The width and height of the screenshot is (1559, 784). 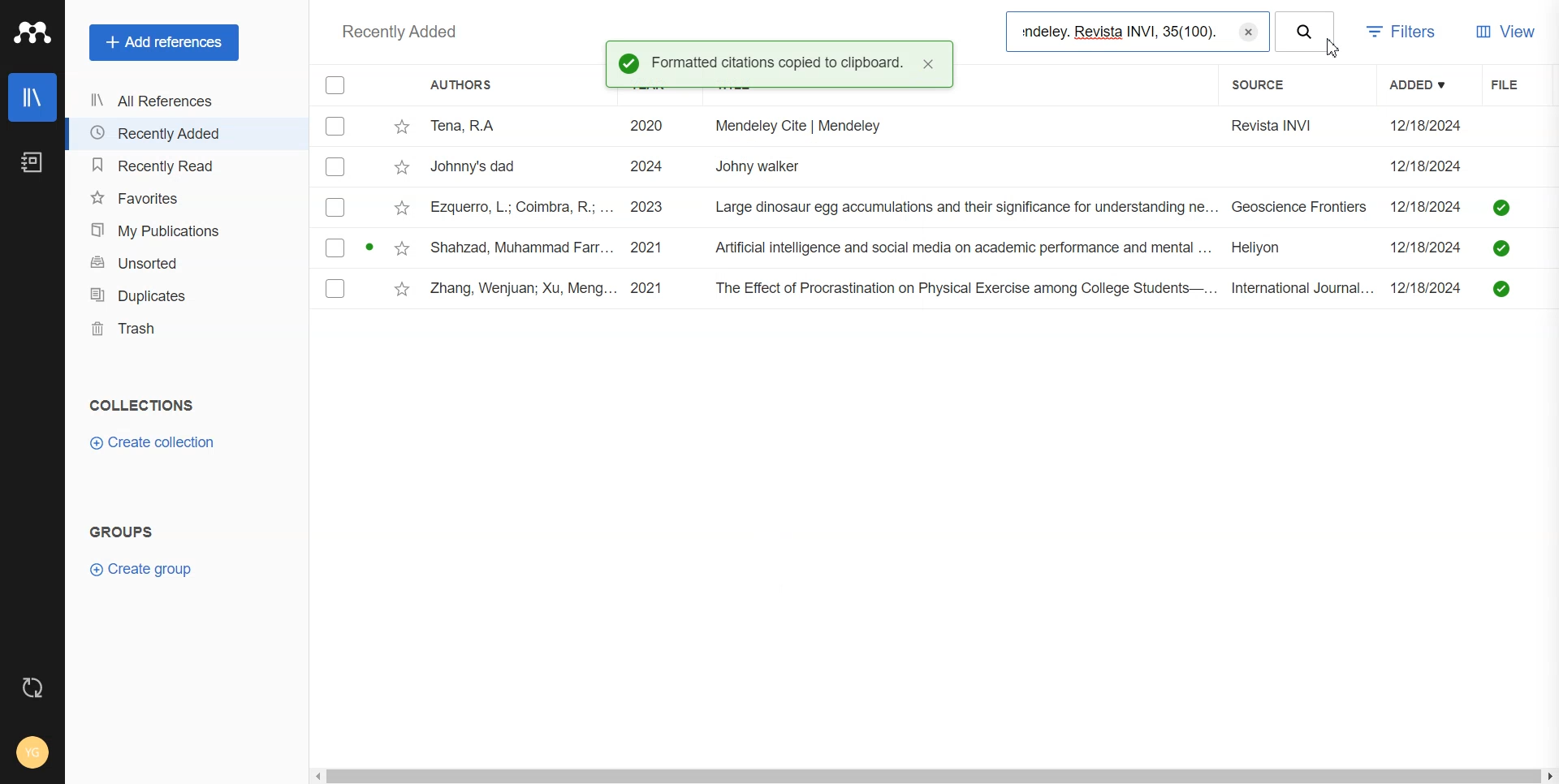 What do you see at coordinates (1430, 288) in the screenshot?
I see `12/18/2024` at bounding box center [1430, 288].